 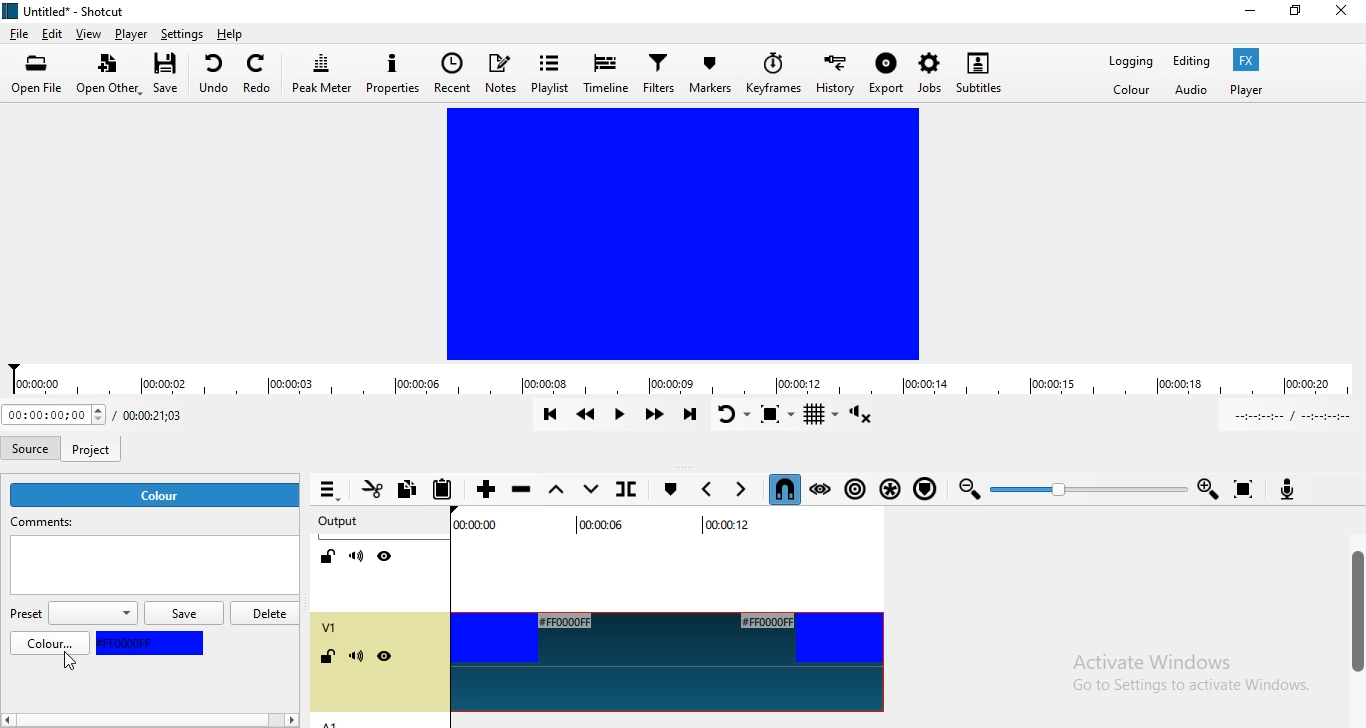 I want to click on lock, so click(x=331, y=658).